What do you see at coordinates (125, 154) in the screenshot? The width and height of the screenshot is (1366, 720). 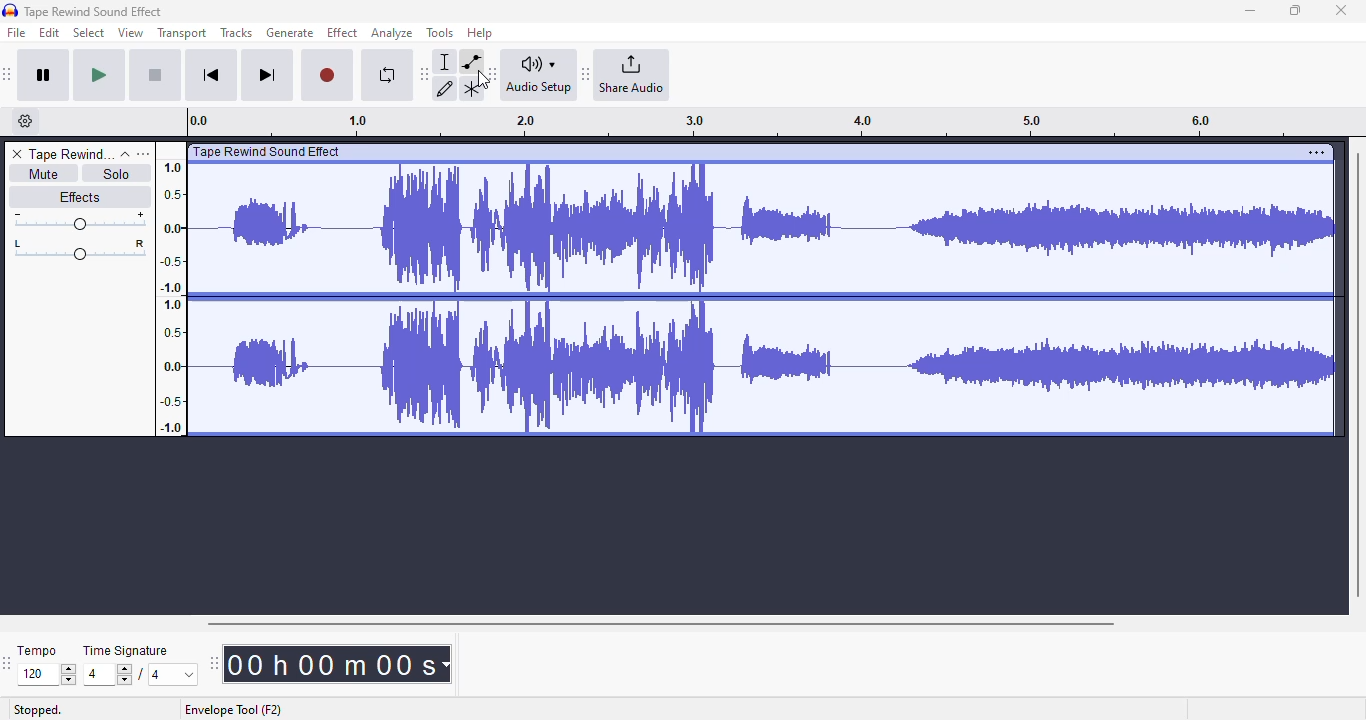 I see `collapse` at bounding box center [125, 154].